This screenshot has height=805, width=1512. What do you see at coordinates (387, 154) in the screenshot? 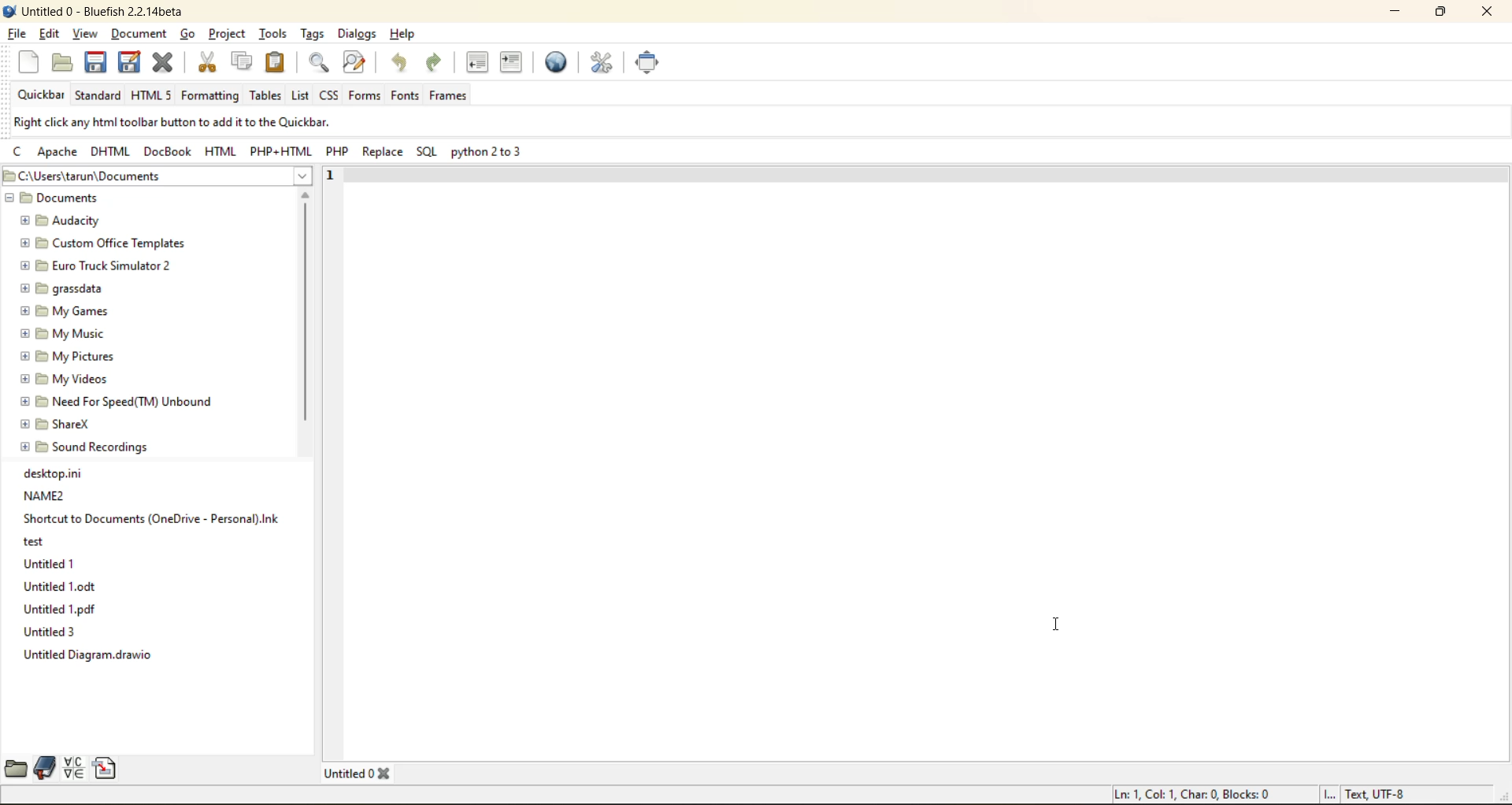
I see `replace` at bounding box center [387, 154].